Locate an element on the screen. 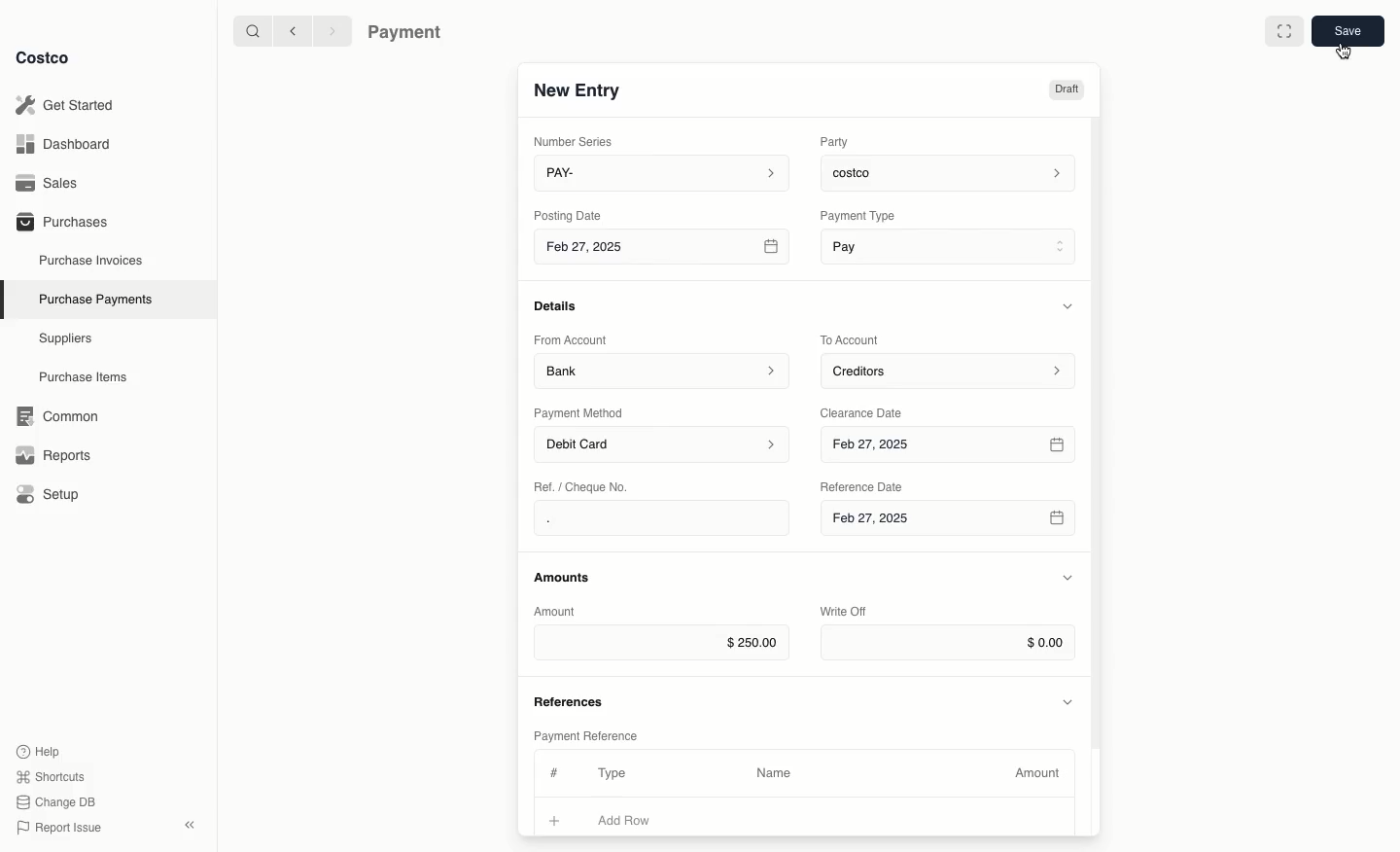 Image resolution: width=1400 pixels, height=852 pixels. collapse is located at coordinates (189, 825).